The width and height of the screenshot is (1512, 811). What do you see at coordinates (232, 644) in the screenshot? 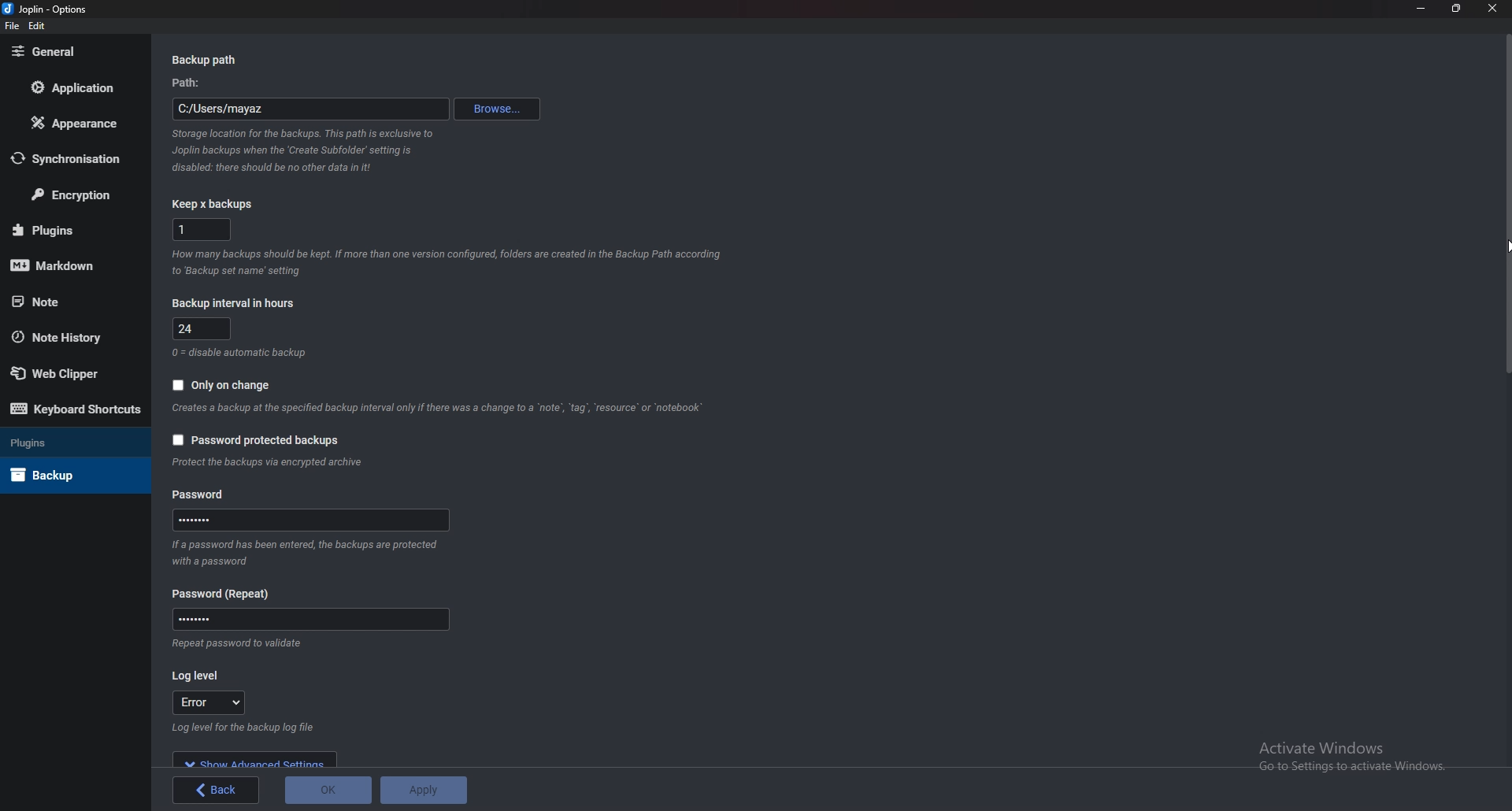
I see `Info on password` at bounding box center [232, 644].